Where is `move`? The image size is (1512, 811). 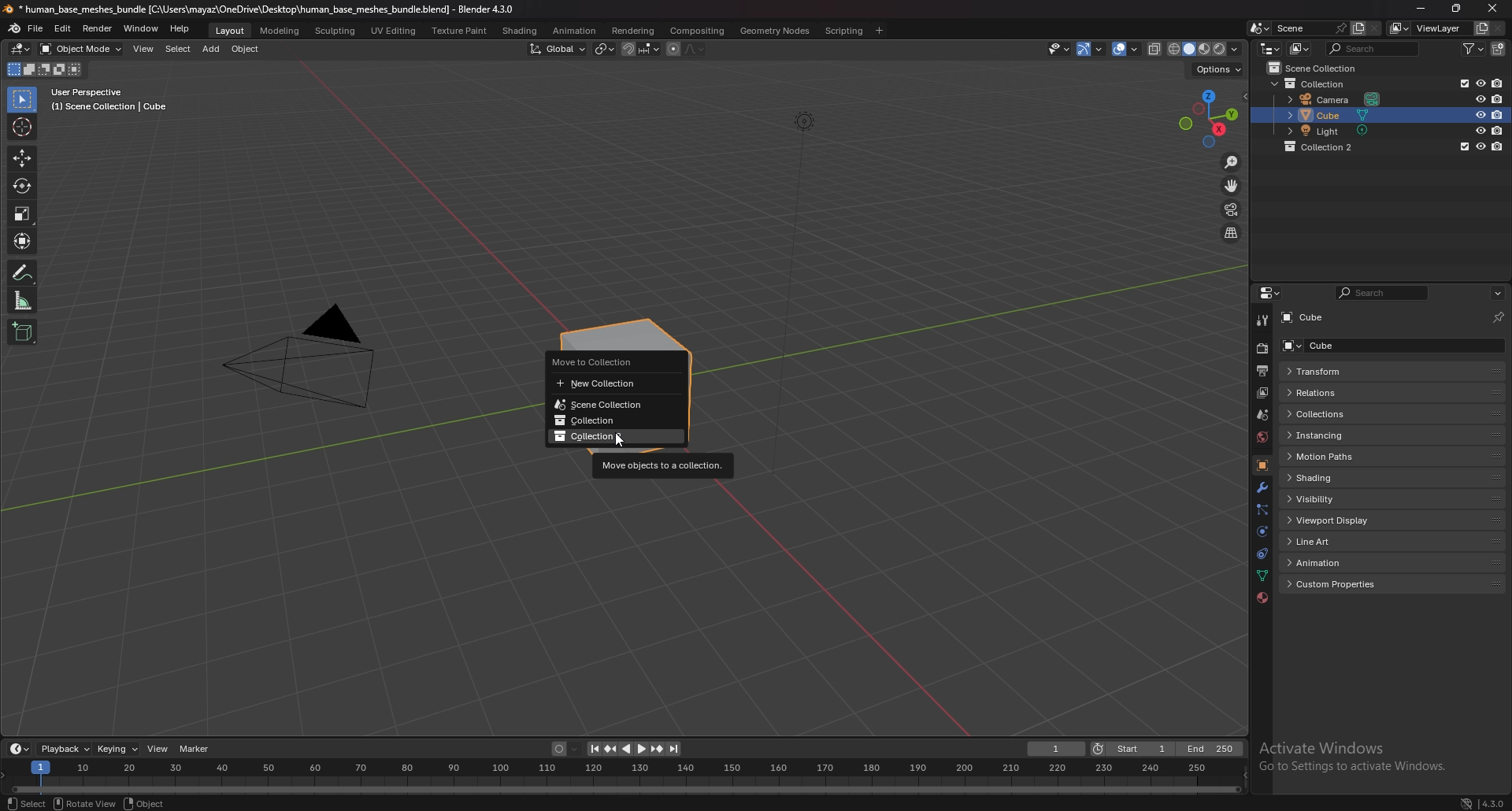 move is located at coordinates (1234, 185).